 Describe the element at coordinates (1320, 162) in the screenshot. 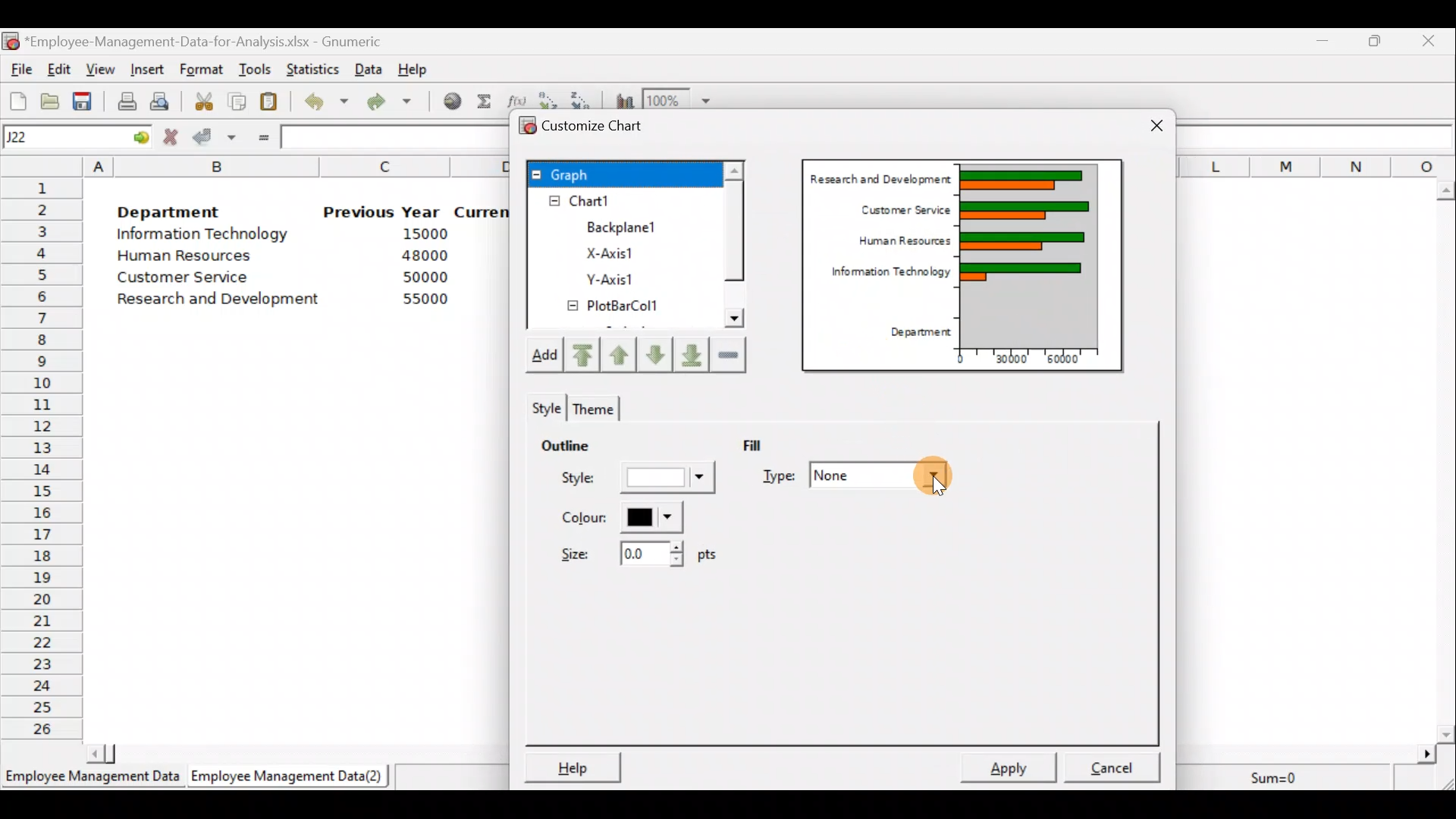

I see `Columns` at that location.